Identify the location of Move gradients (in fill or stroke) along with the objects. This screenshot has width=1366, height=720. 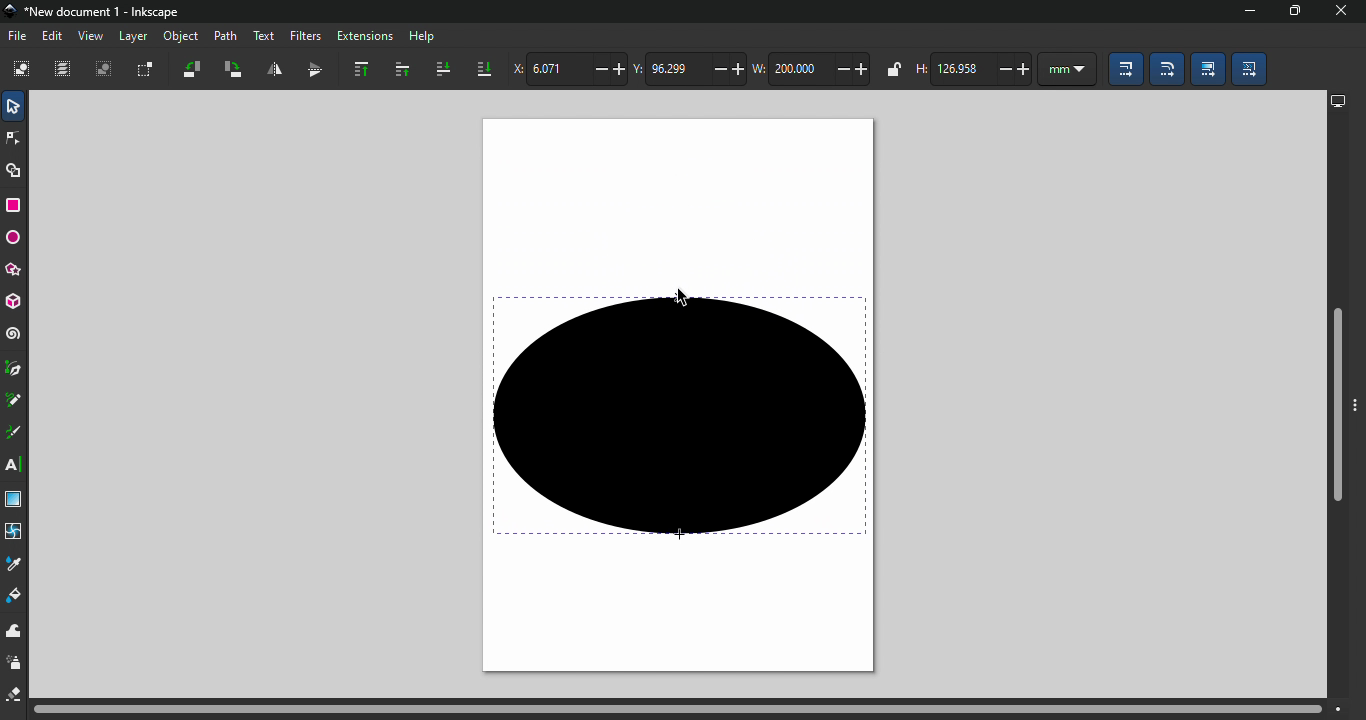
(1209, 70).